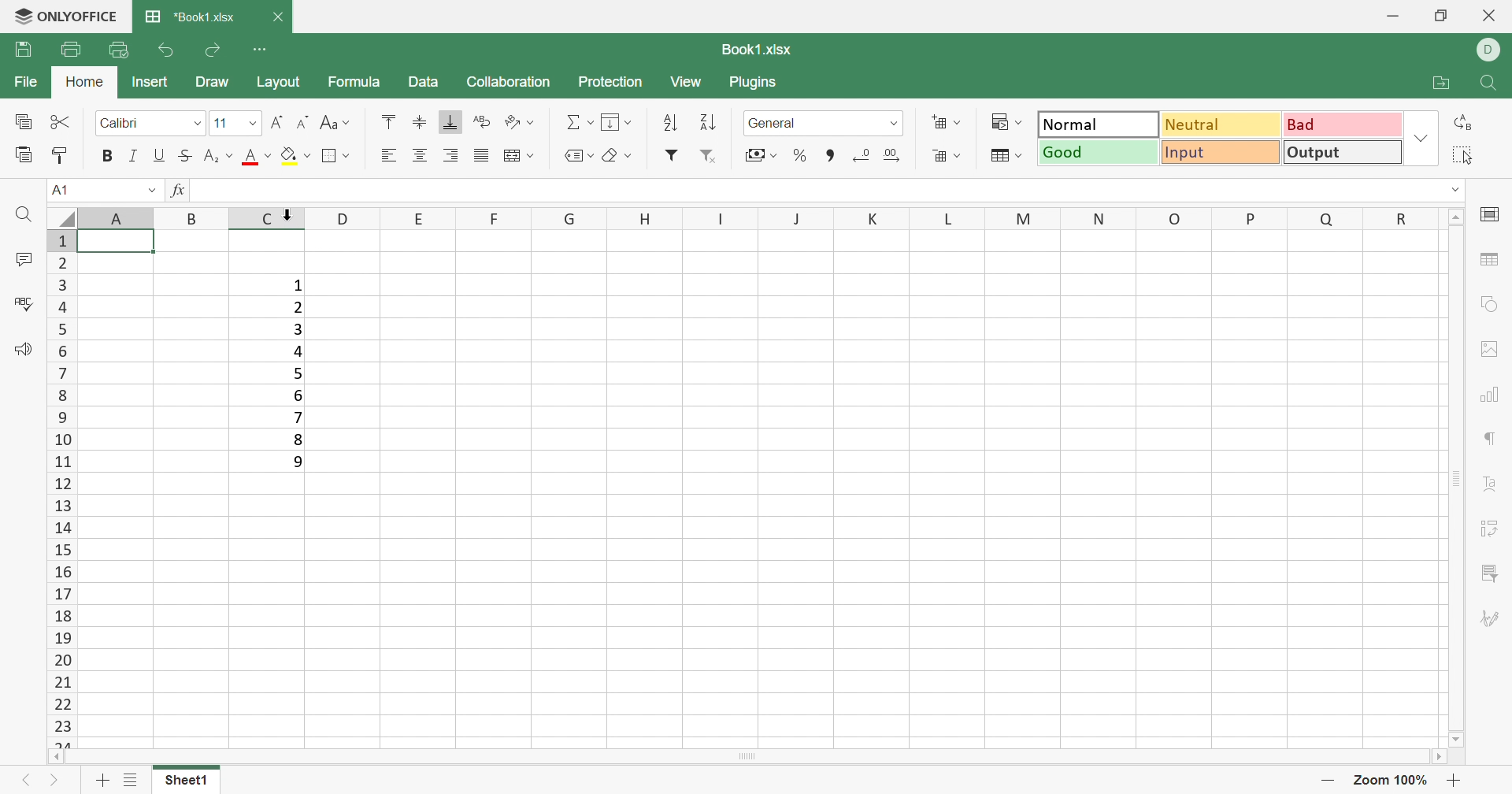 This screenshot has width=1512, height=794. I want to click on Increment font size, so click(280, 123).